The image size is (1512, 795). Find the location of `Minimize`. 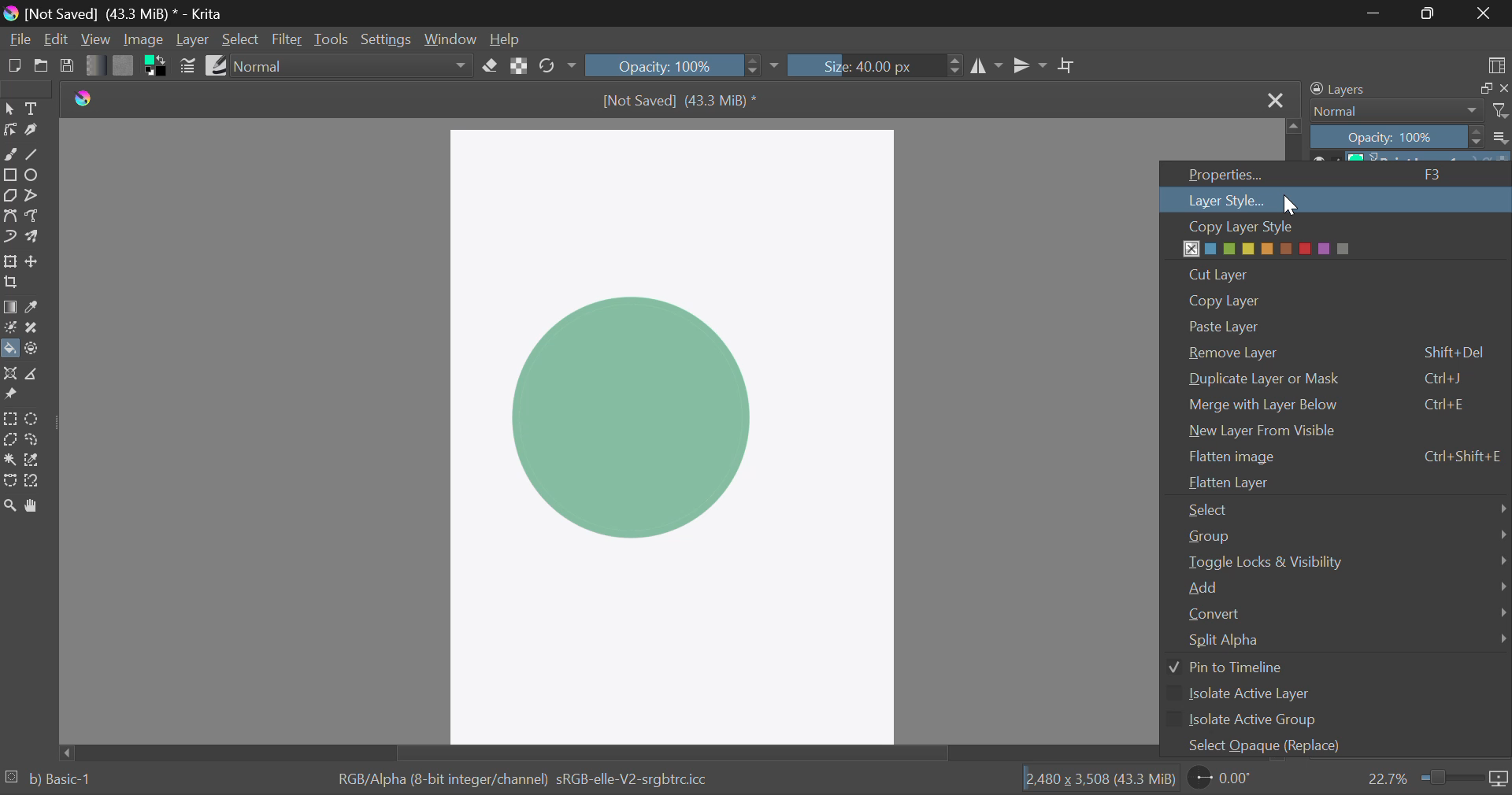

Minimize is located at coordinates (1431, 13).